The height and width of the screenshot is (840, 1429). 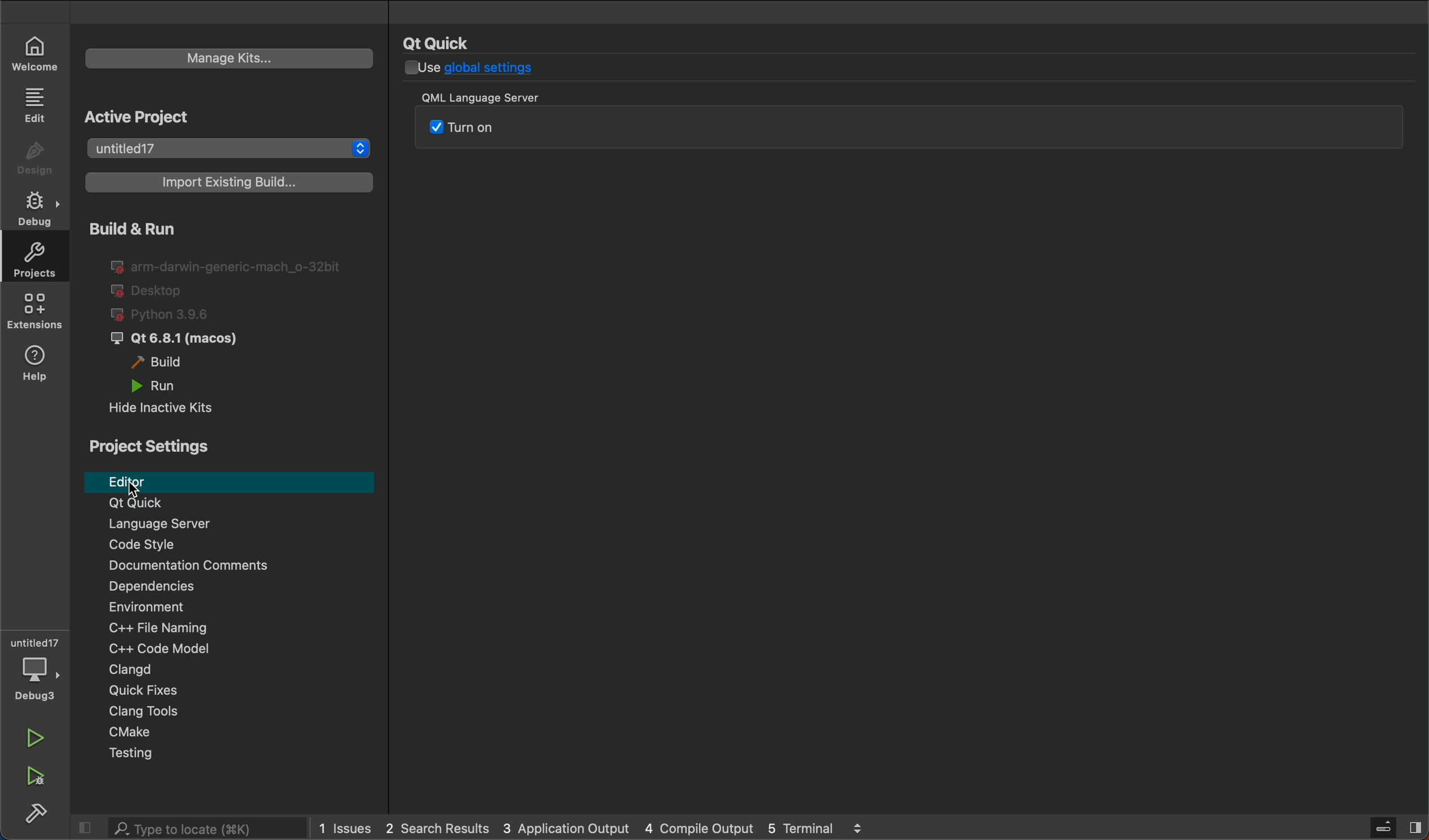 What do you see at coordinates (38, 739) in the screenshot?
I see `run` at bounding box center [38, 739].